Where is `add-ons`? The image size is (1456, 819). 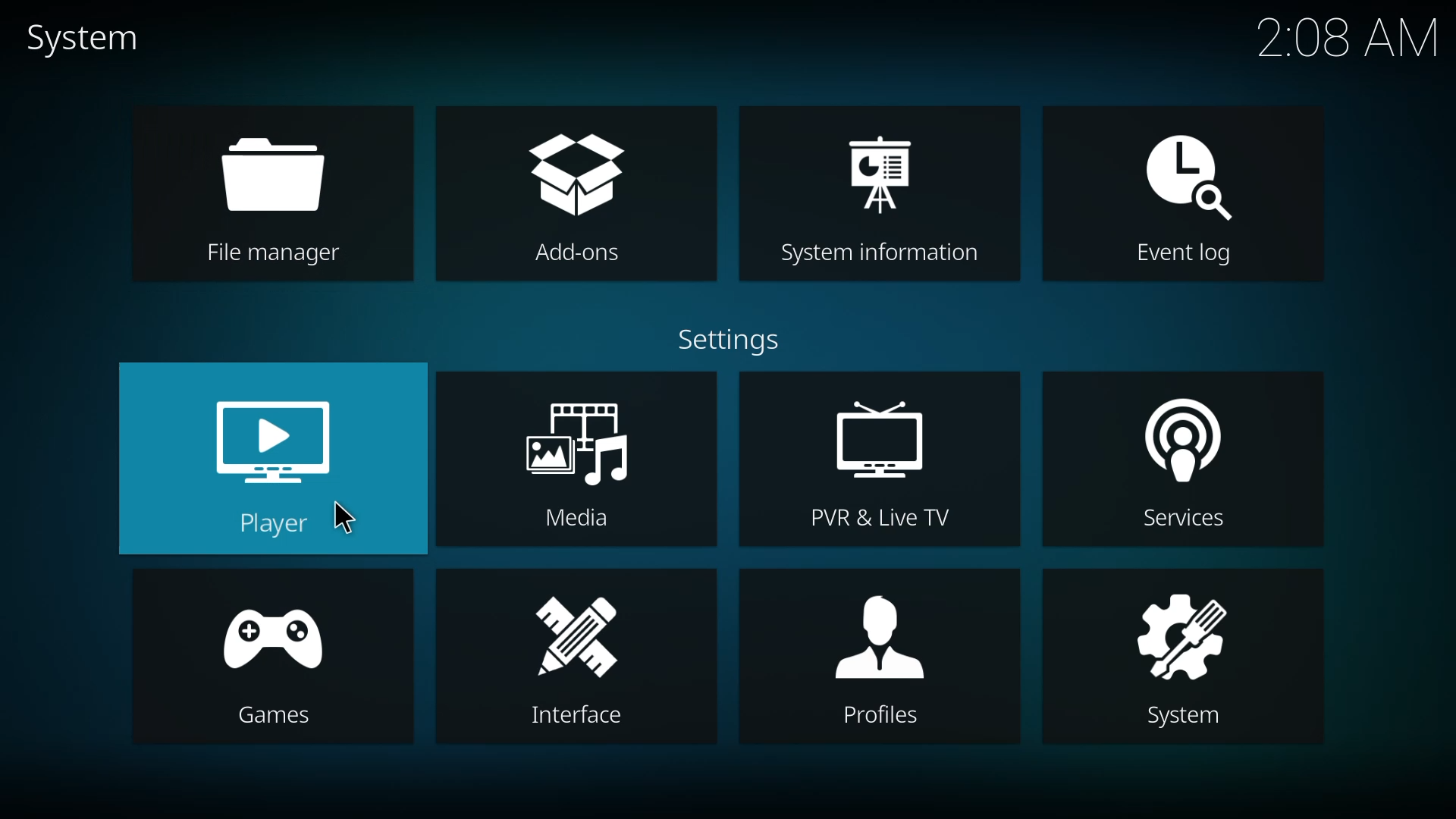
add-ons is located at coordinates (576, 194).